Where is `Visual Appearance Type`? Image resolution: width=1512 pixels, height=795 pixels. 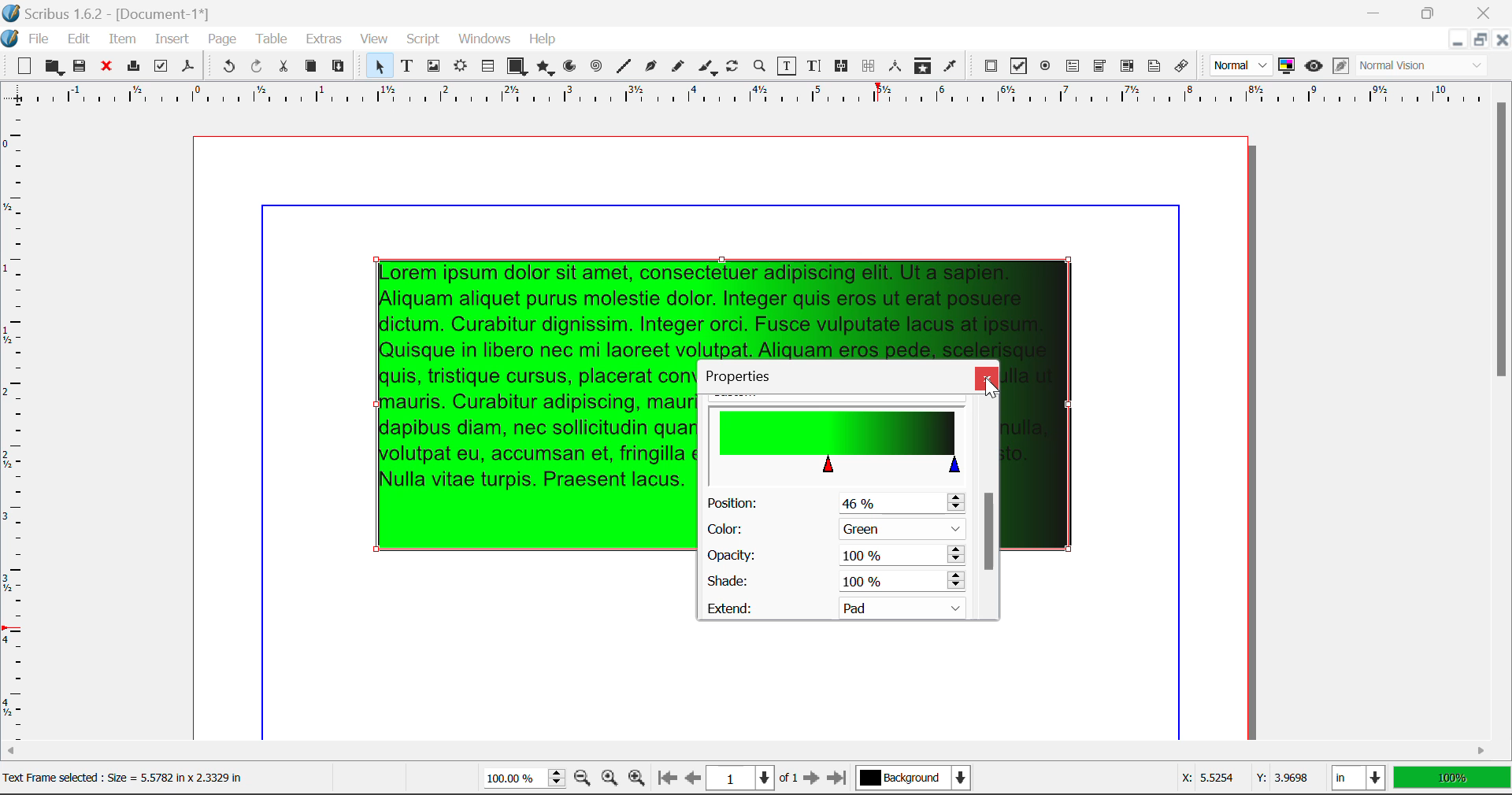
Visual Appearance Type is located at coordinates (1423, 67).